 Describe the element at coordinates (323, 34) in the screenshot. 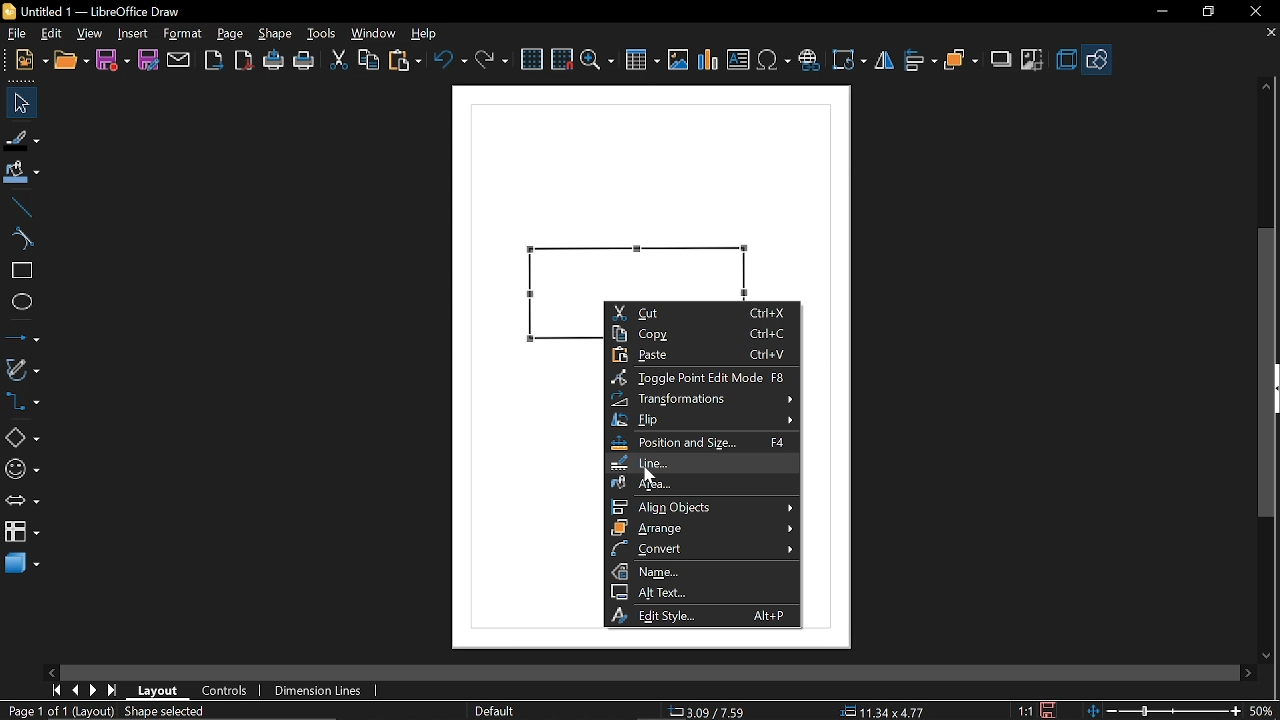

I see `tools` at that location.